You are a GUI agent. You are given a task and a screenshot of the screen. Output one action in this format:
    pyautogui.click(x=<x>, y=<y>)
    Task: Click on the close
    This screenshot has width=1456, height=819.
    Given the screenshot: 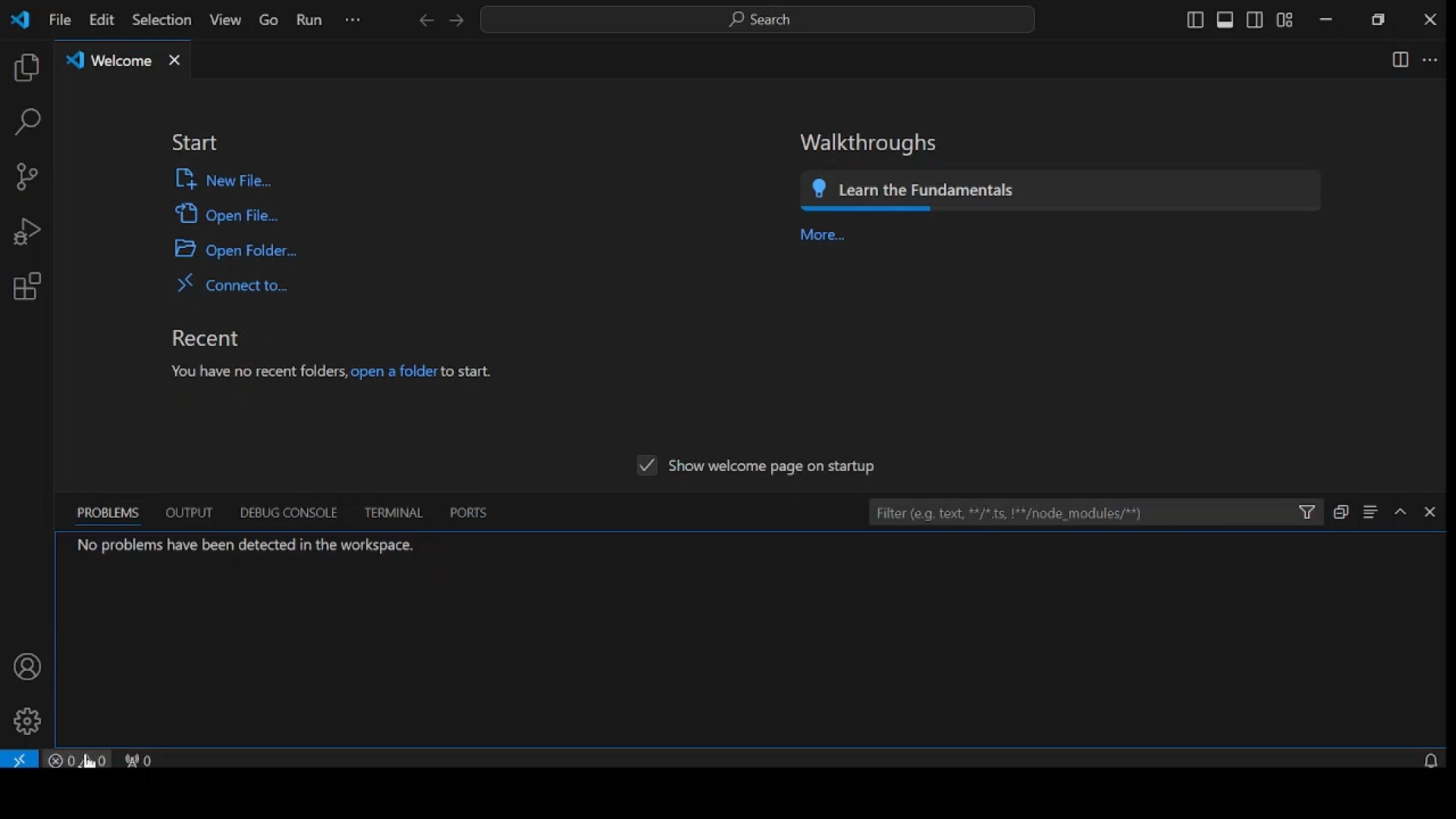 What is the action you would take?
    pyautogui.click(x=1430, y=19)
    